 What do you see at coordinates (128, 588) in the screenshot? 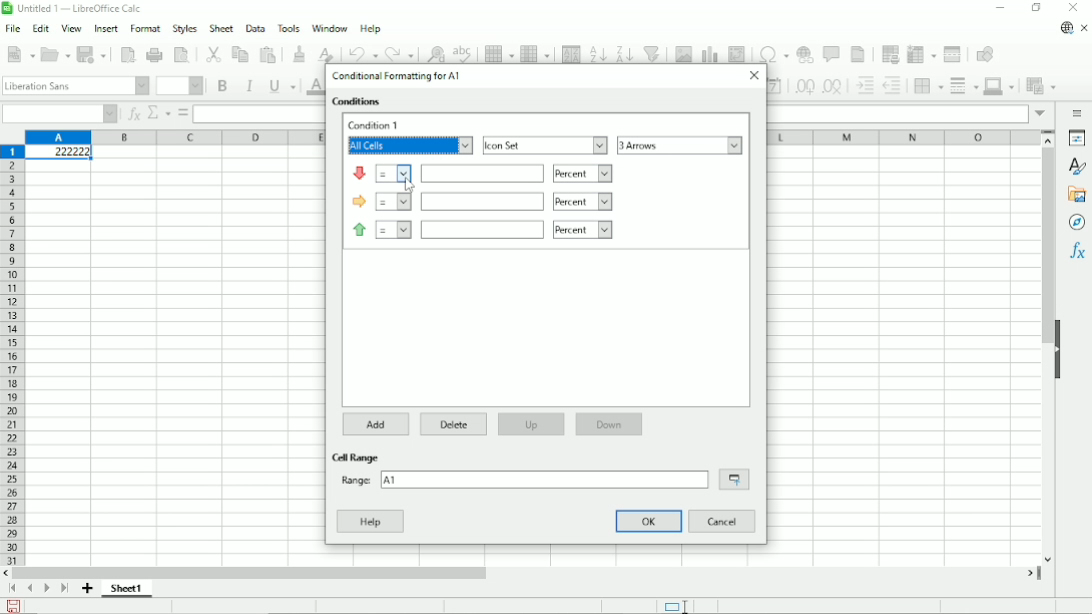
I see `Sheet 1` at bounding box center [128, 588].